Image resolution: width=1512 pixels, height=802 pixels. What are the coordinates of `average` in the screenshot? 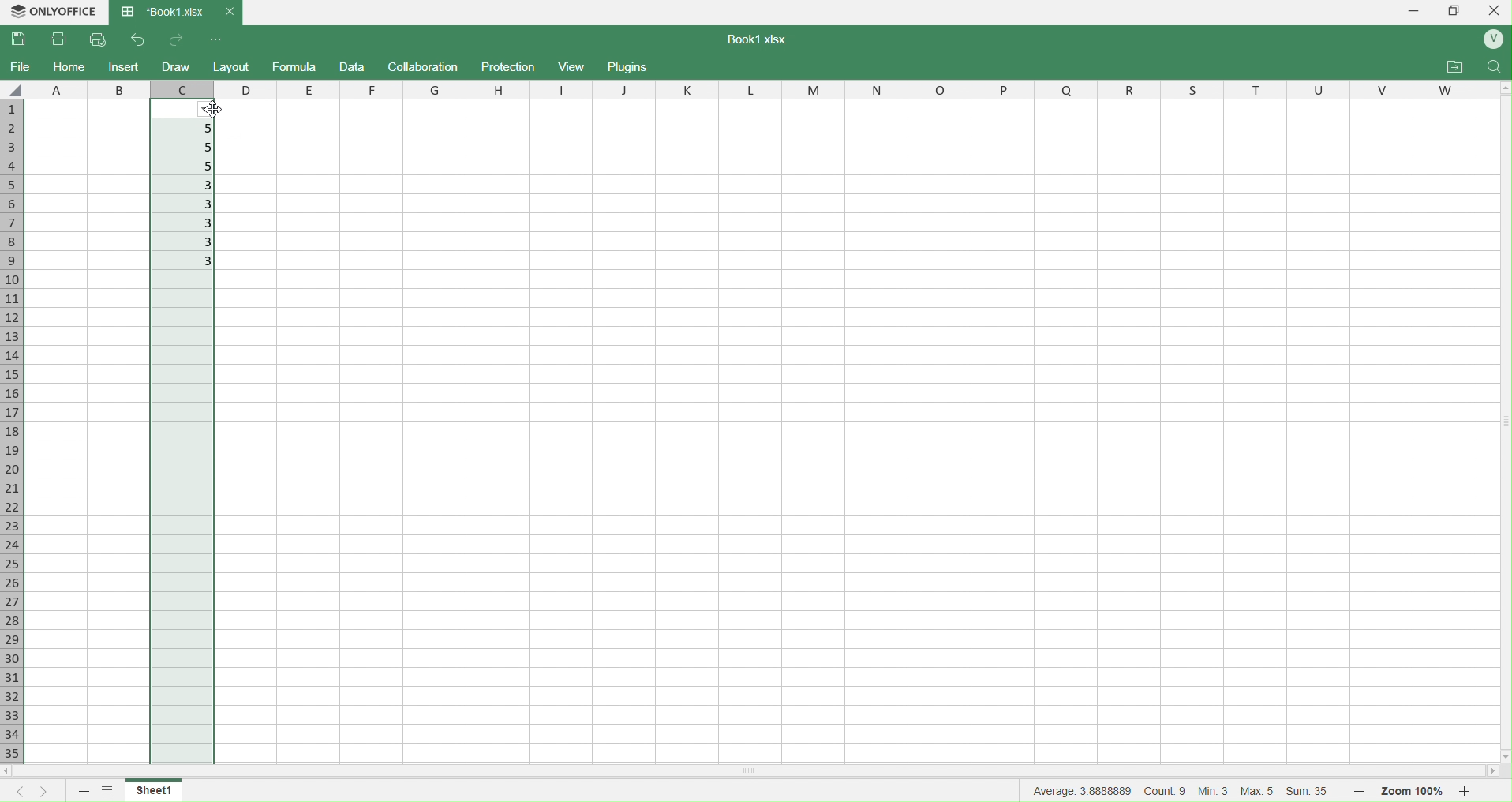 It's located at (1083, 790).